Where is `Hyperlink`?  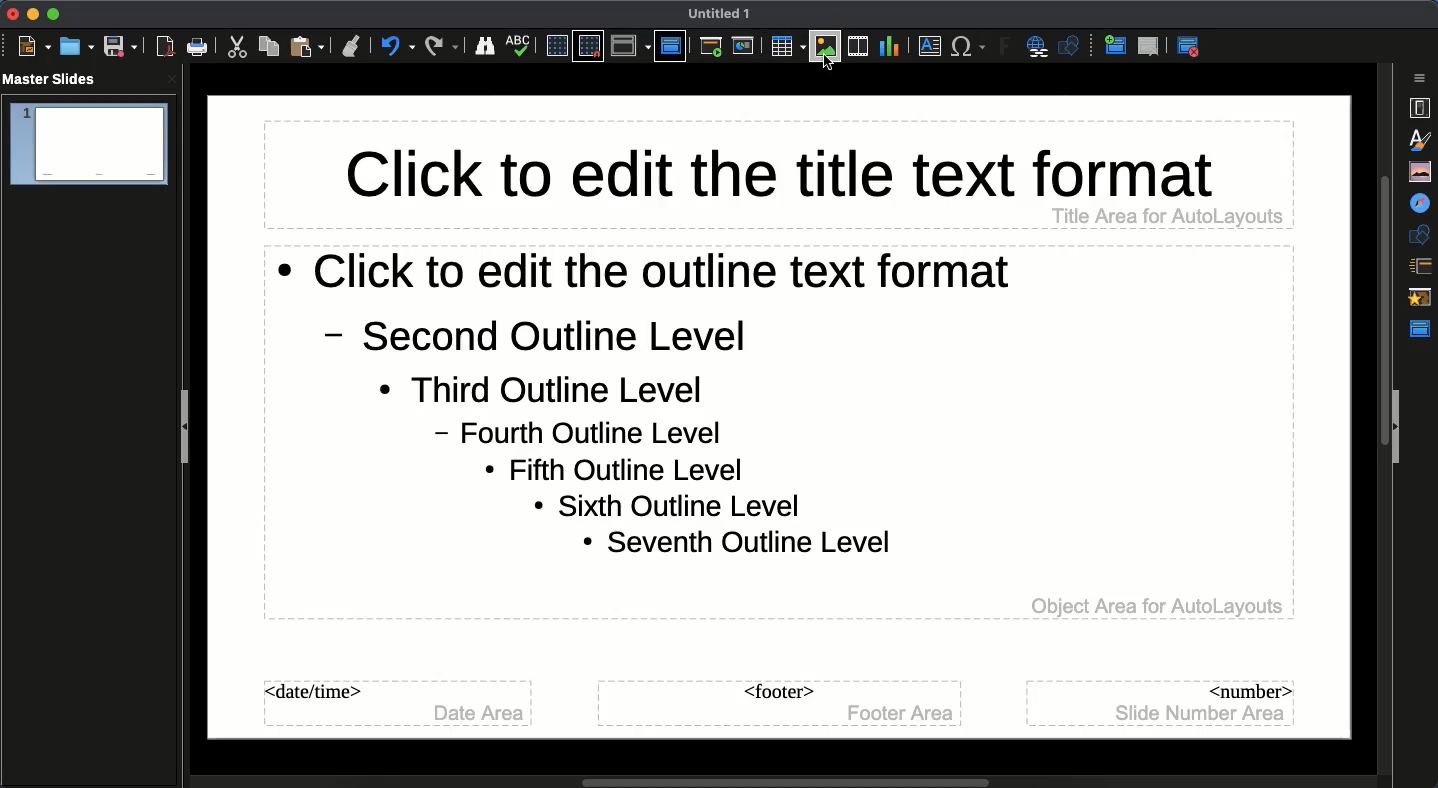
Hyperlink is located at coordinates (1040, 48).